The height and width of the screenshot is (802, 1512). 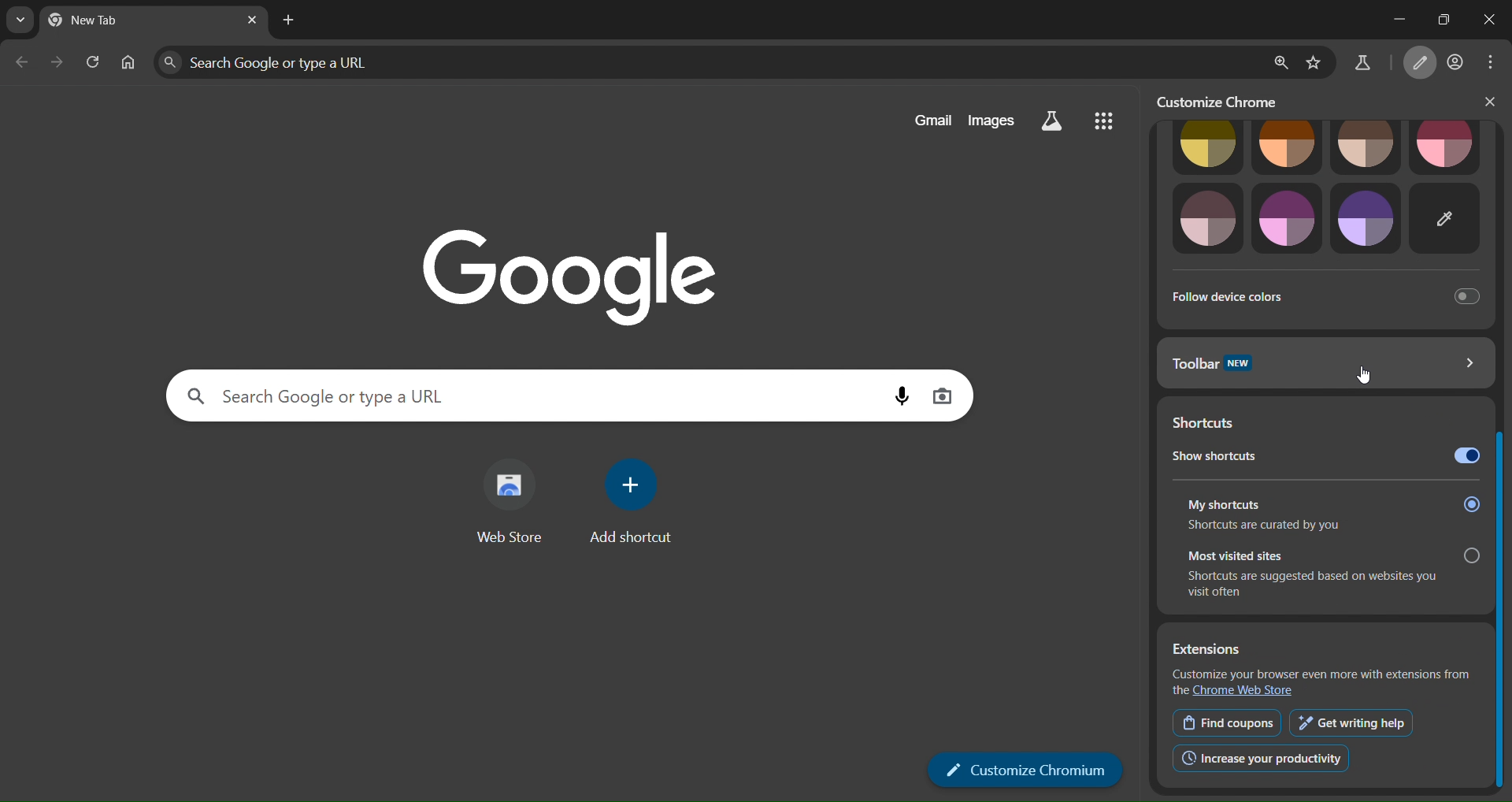 What do you see at coordinates (1354, 723) in the screenshot?
I see `get writing help` at bounding box center [1354, 723].